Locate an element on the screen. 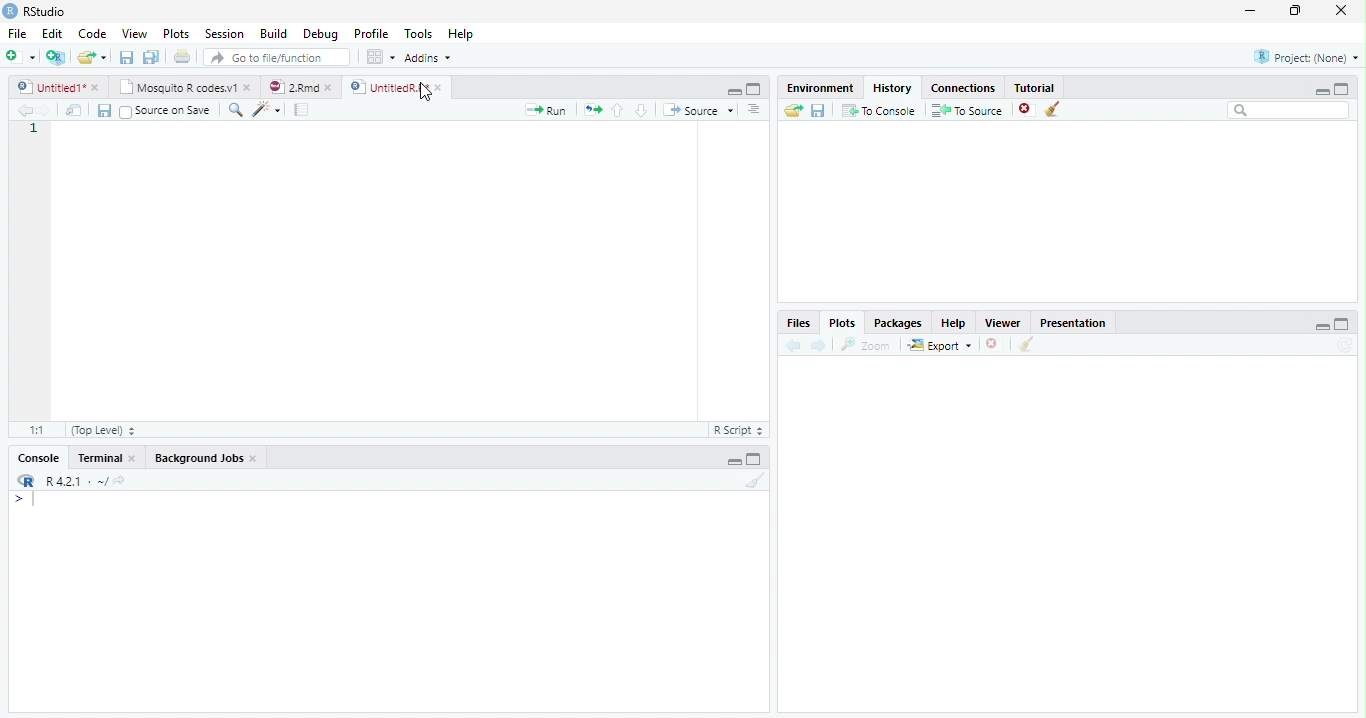 The image size is (1366, 718). Go to file/function is located at coordinates (277, 58).